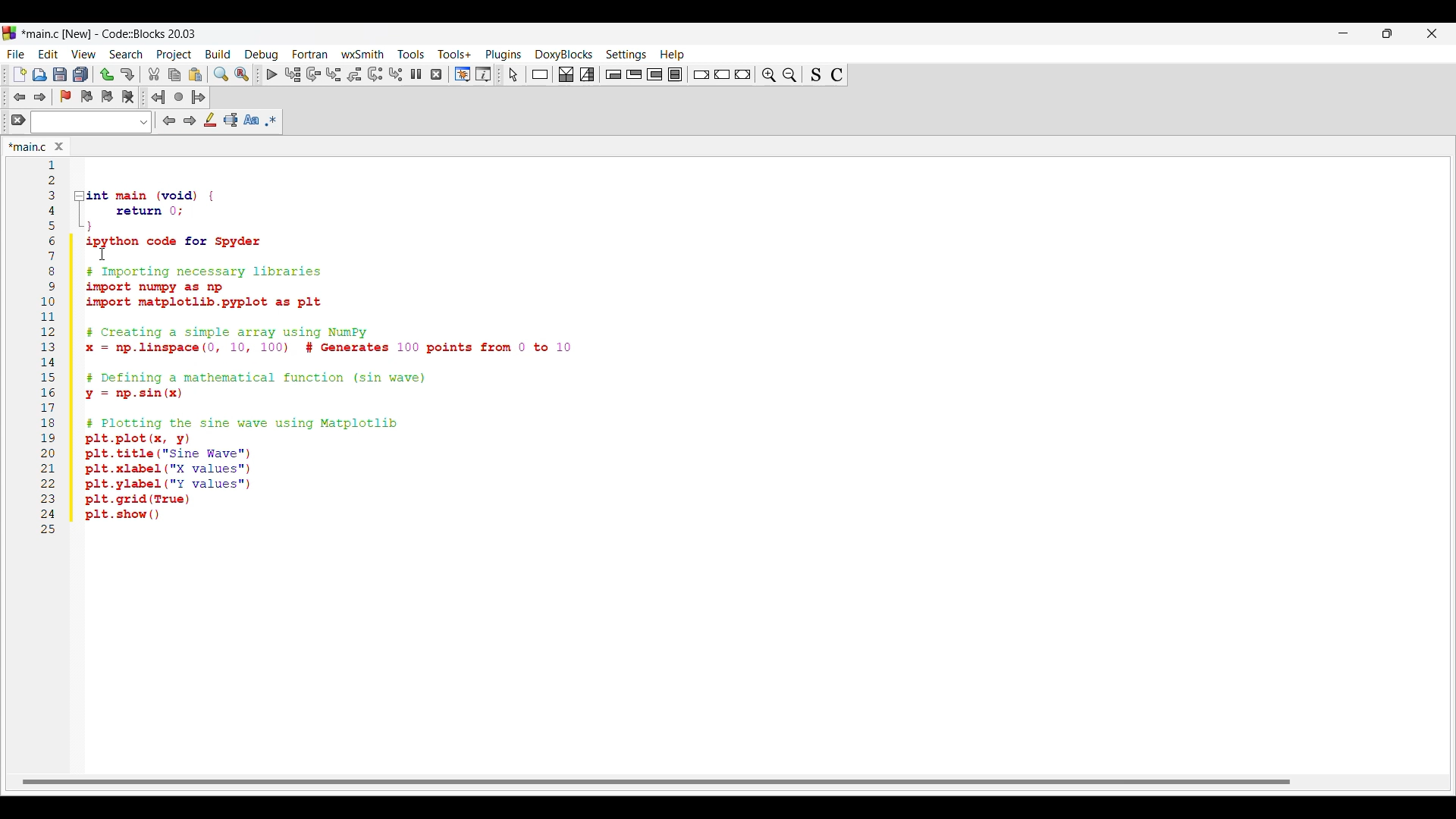  I want to click on Debug/Continue, so click(271, 74).